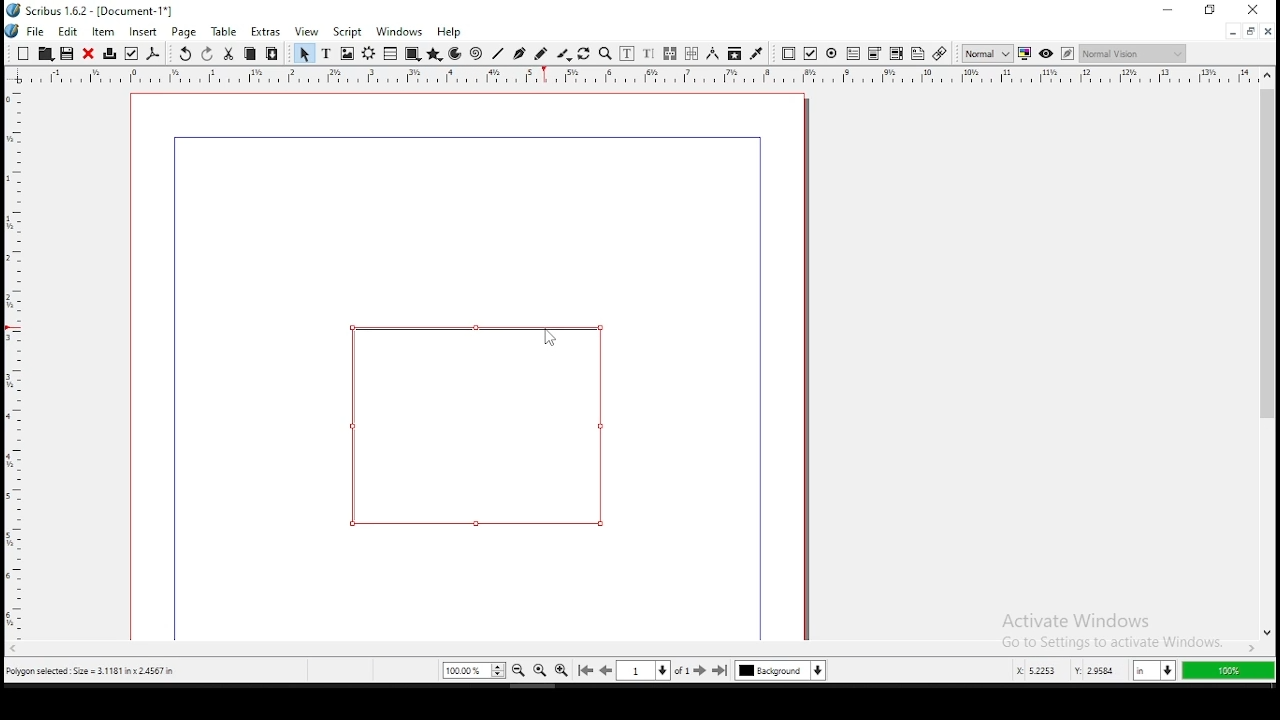 The height and width of the screenshot is (720, 1280). I want to click on preflight verifier, so click(130, 54).